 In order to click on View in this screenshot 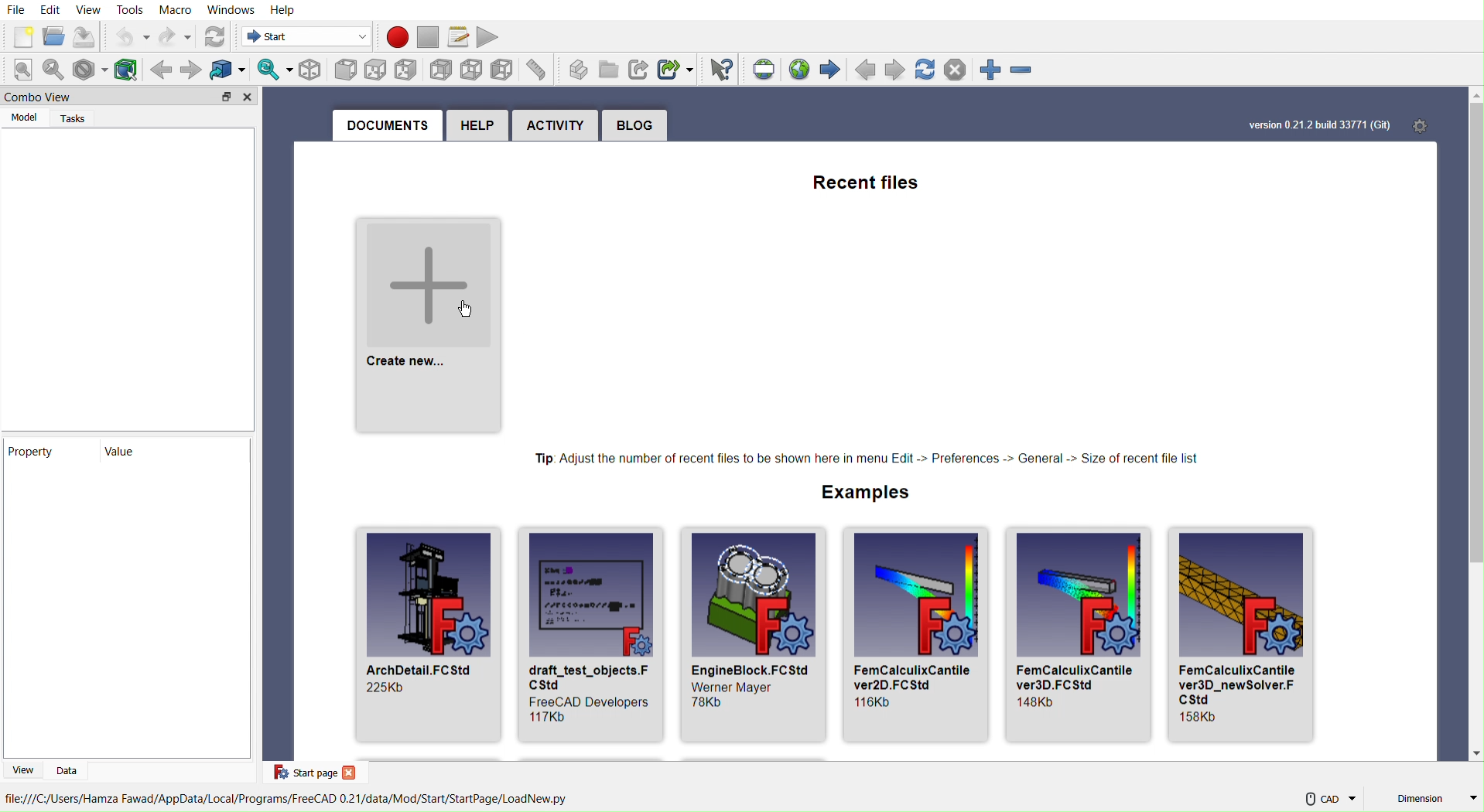, I will do `click(23, 769)`.